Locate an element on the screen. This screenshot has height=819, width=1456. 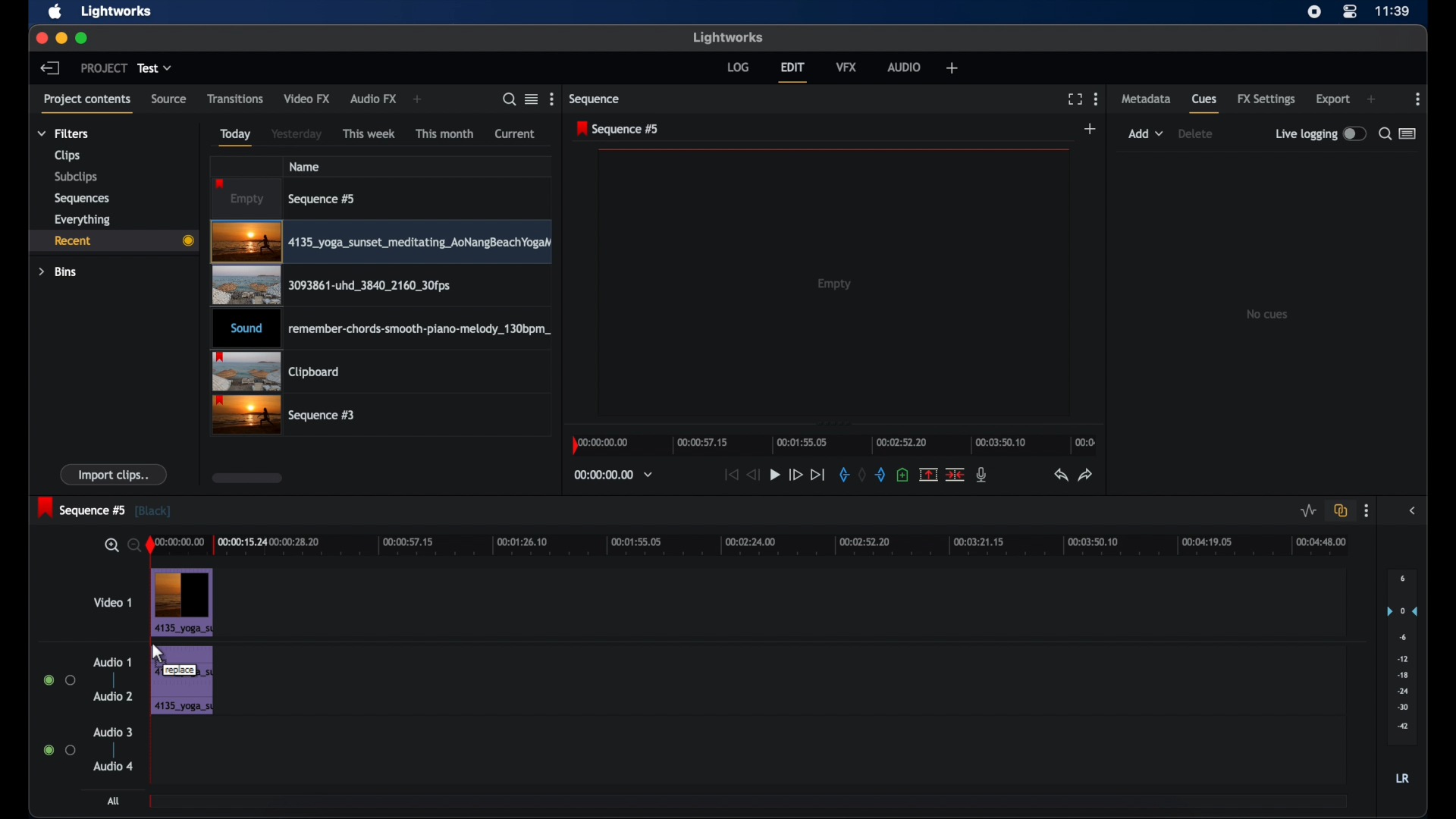
zoom is located at coordinates (120, 546).